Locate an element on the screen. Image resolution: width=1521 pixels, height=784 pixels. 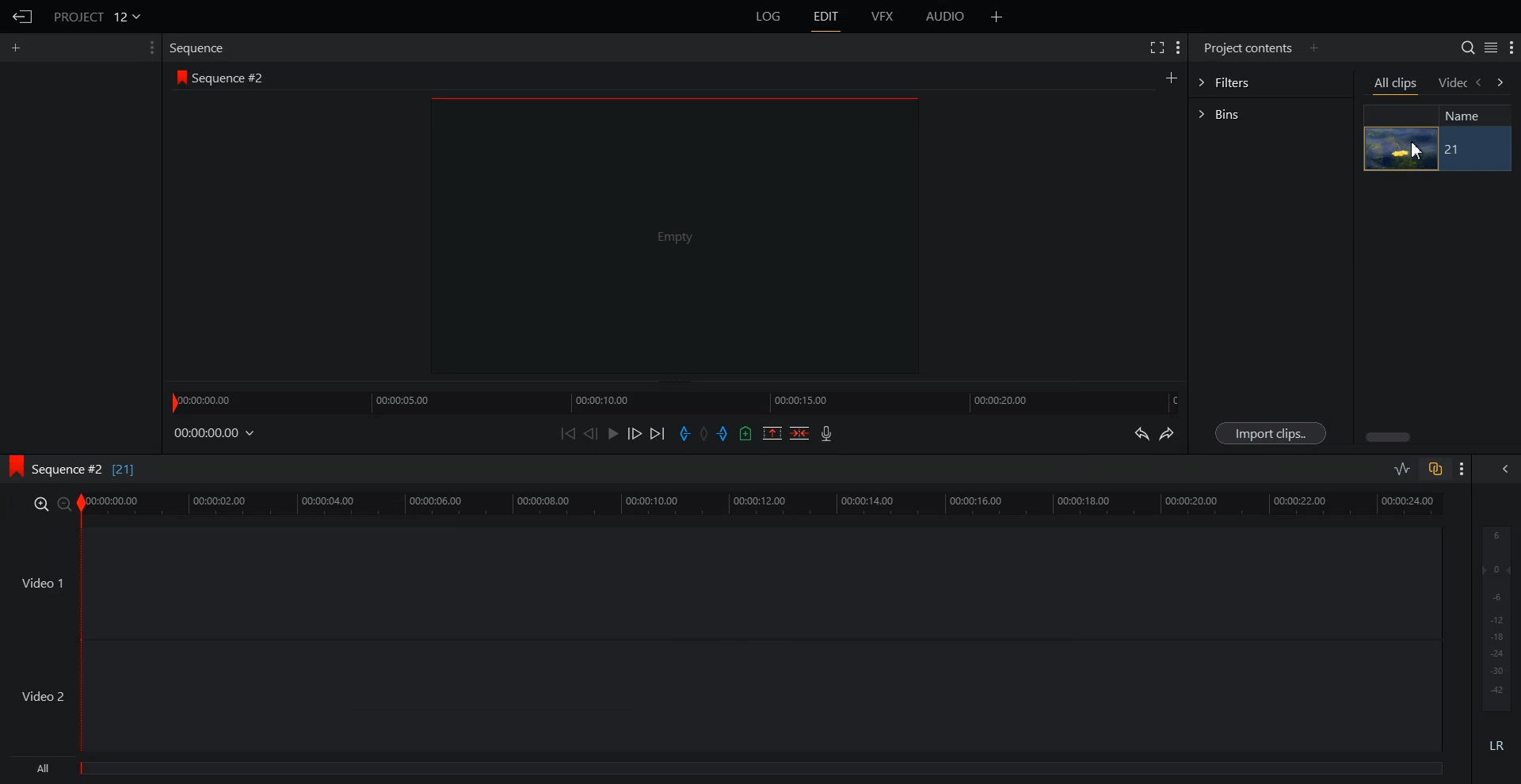
Nudge One Frame Forward is located at coordinates (635, 434).